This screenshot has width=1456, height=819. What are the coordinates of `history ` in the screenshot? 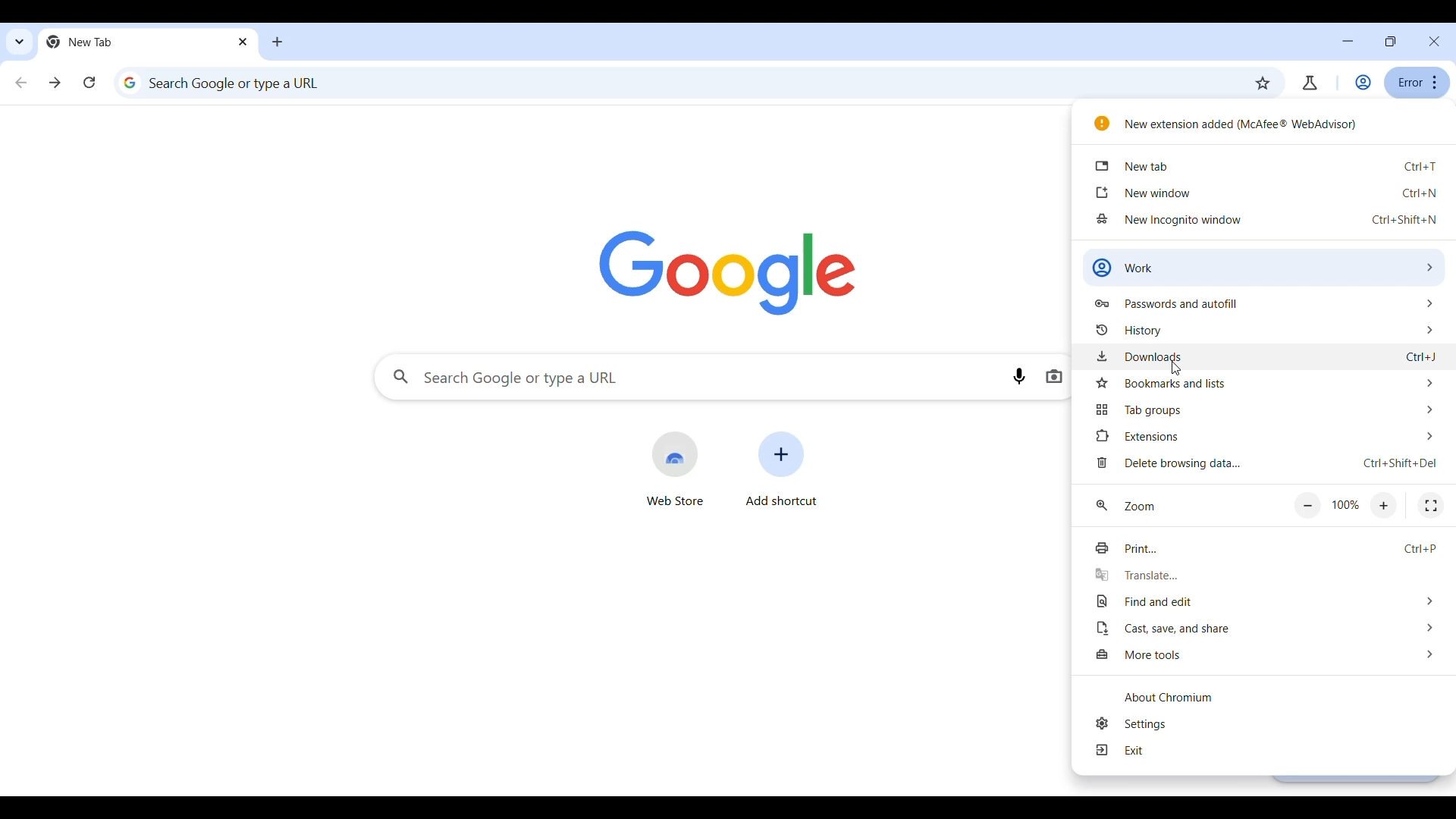 It's located at (1265, 330).